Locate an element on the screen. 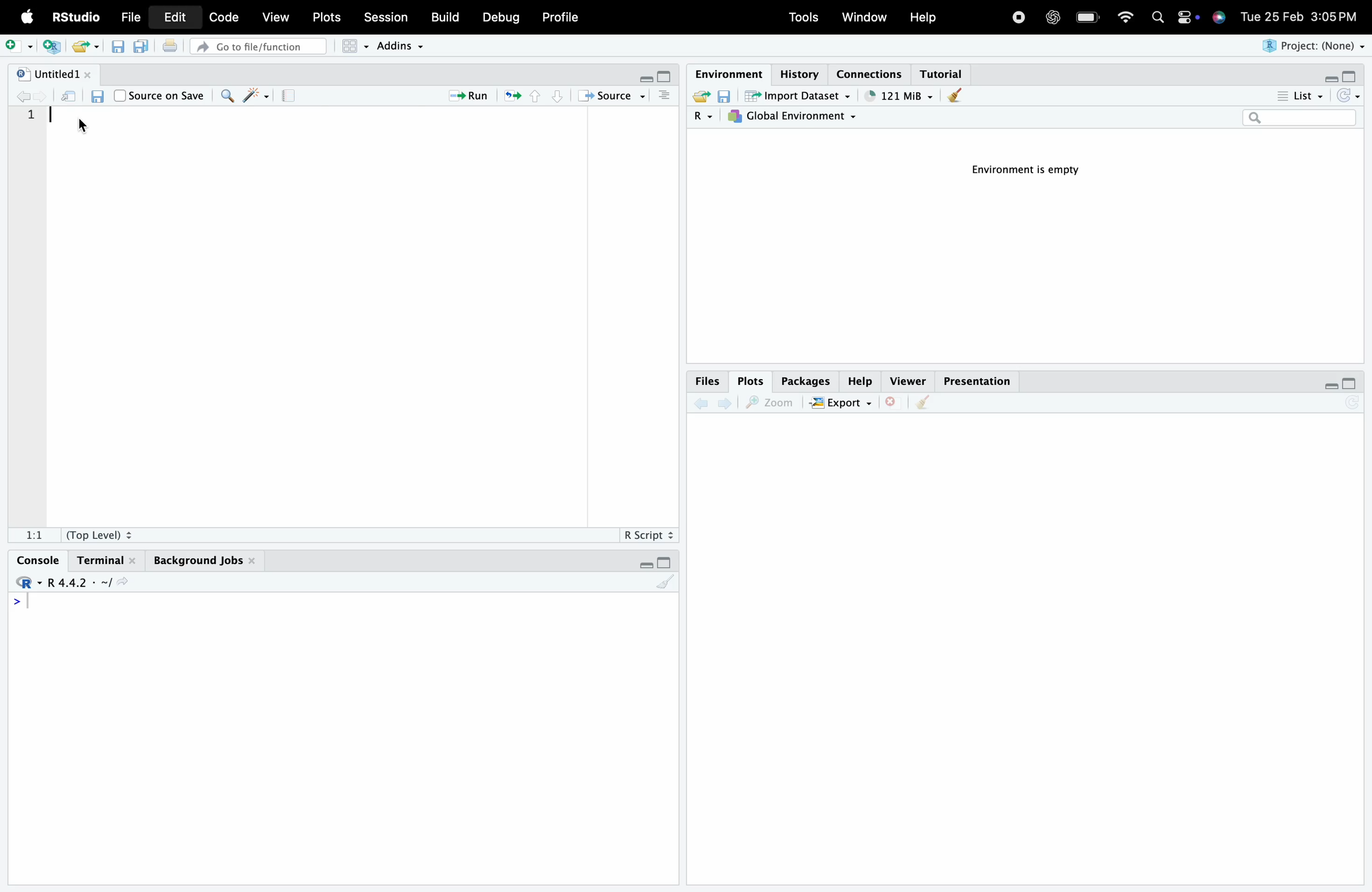 This screenshot has width=1372, height=892. Siri Assistant is located at coordinates (1218, 19).